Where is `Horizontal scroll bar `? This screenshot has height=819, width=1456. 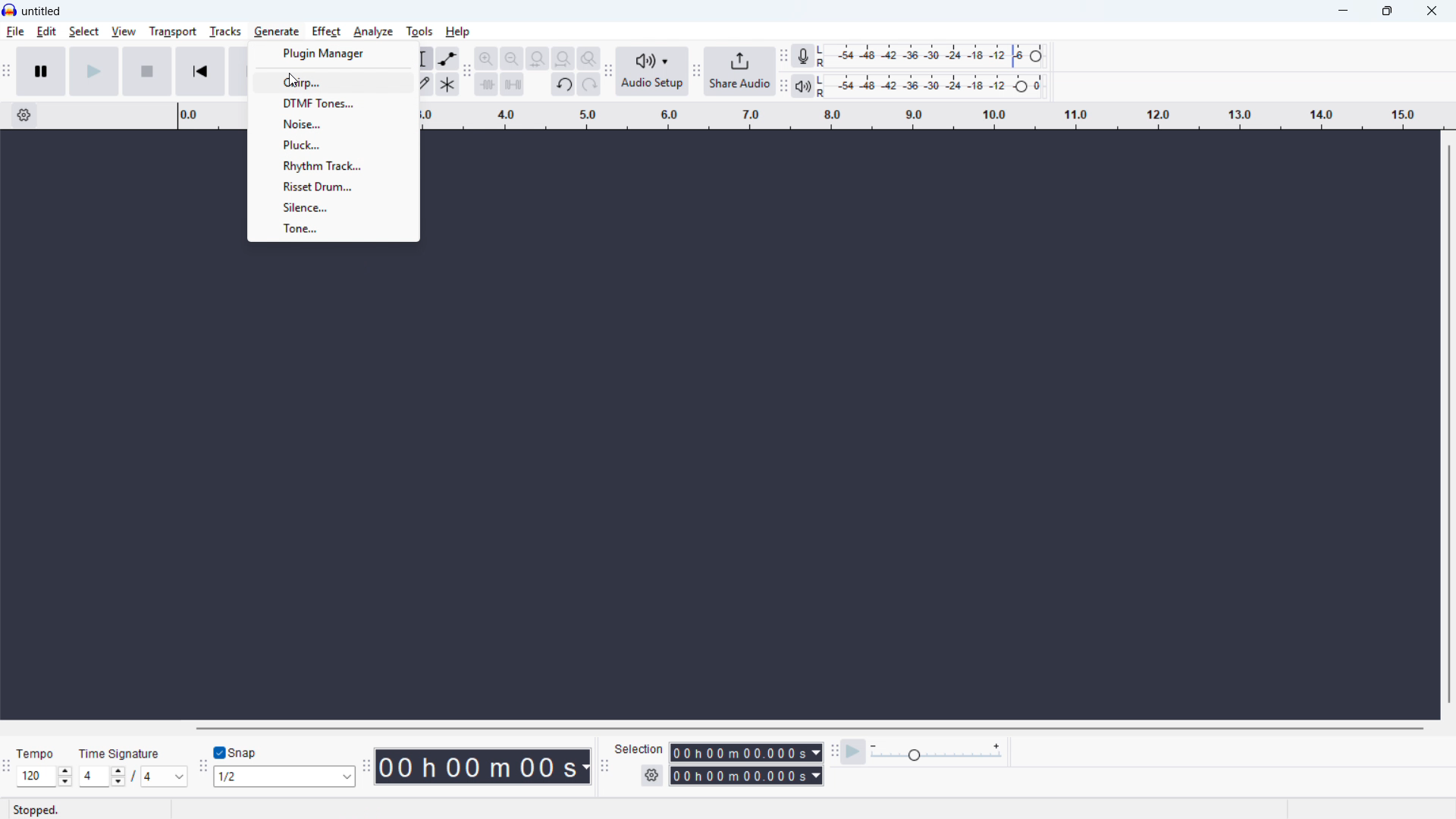 Horizontal scroll bar  is located at coordinates (811, 728).